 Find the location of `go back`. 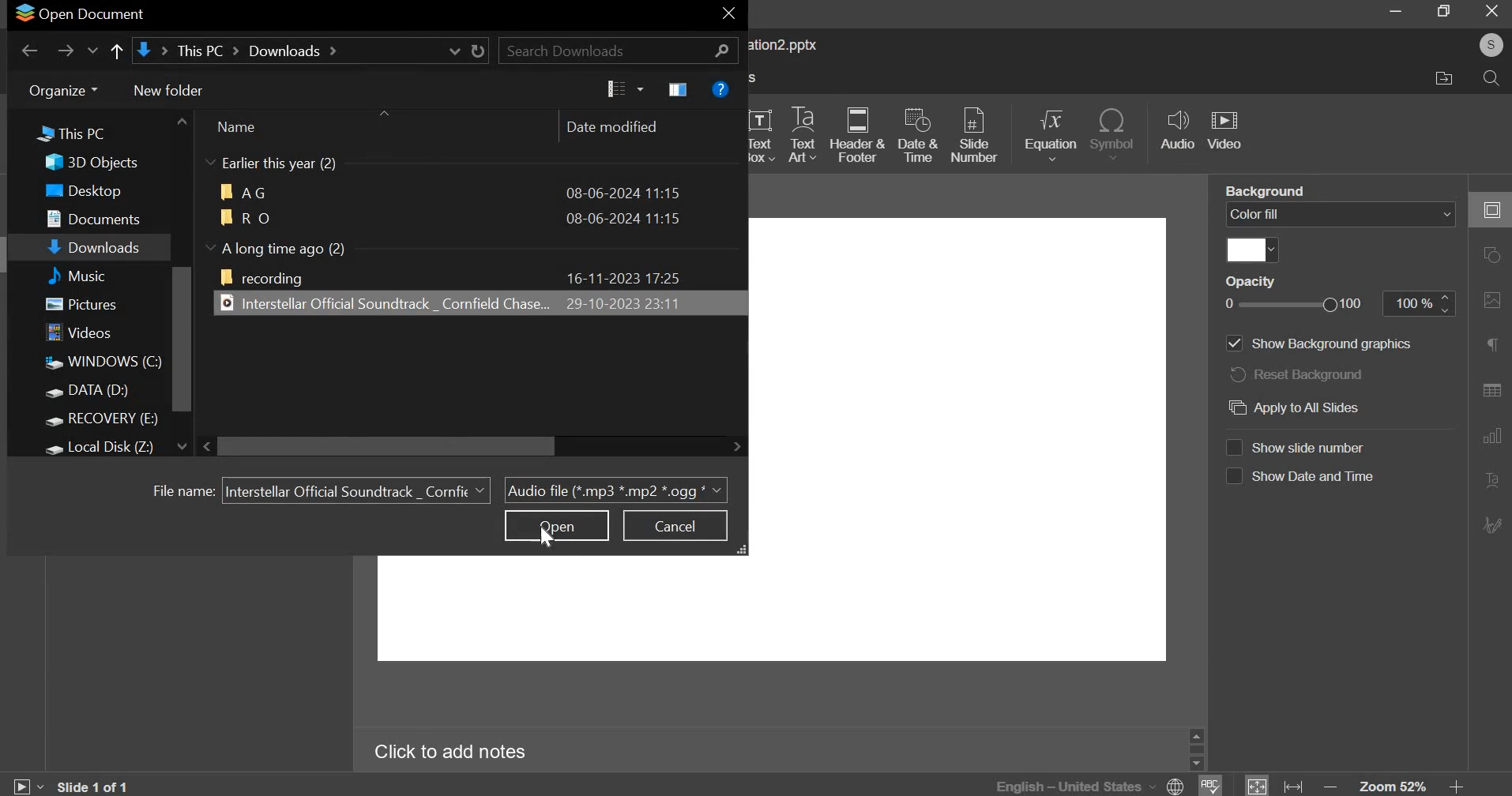

go back is located at coordinates (28, 47).